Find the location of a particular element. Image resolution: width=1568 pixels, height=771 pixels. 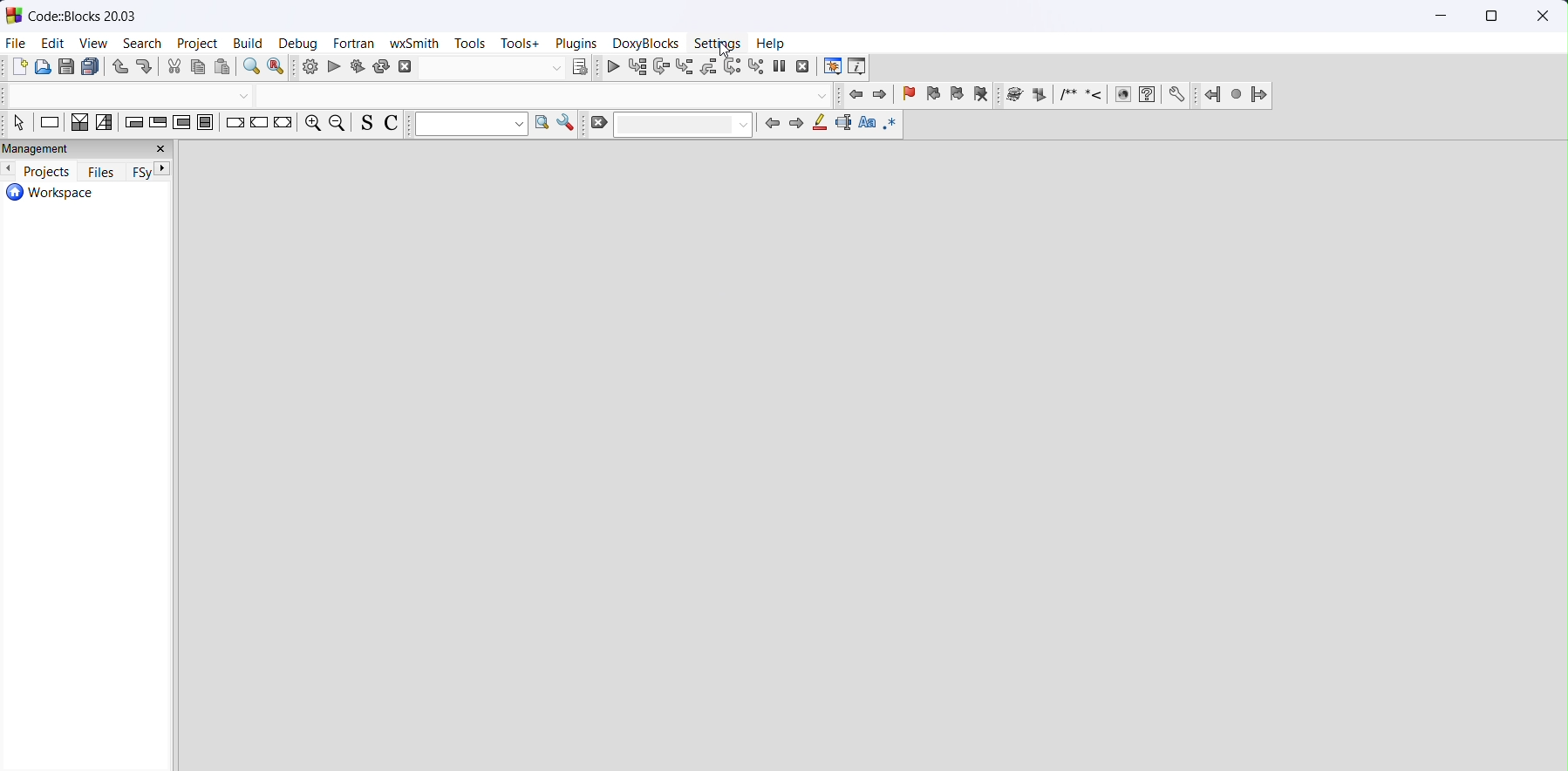

rebuild is located at coordinates (383, 67).